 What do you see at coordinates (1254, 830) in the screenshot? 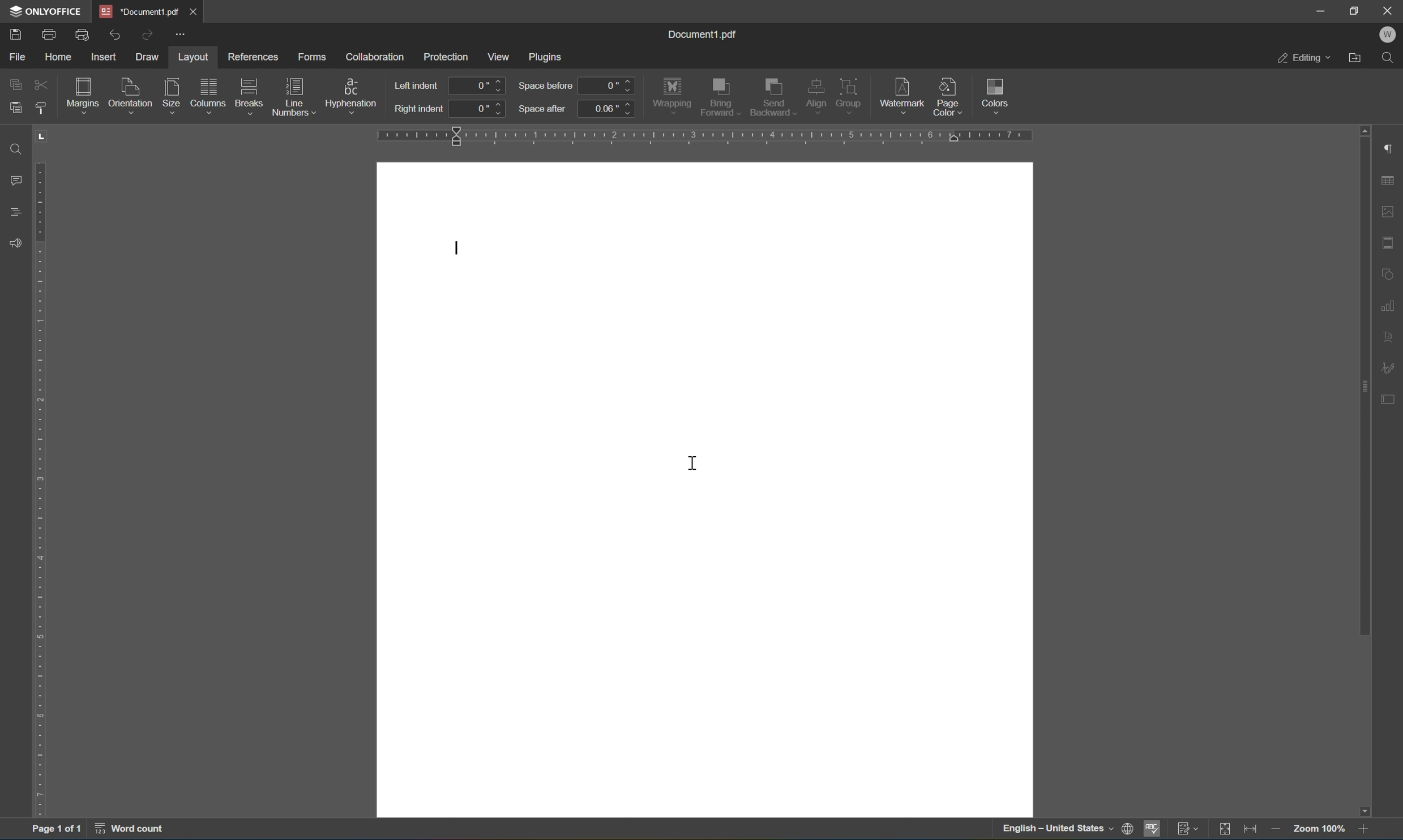
I see `fit to width` at bounding box center [1254, 830].